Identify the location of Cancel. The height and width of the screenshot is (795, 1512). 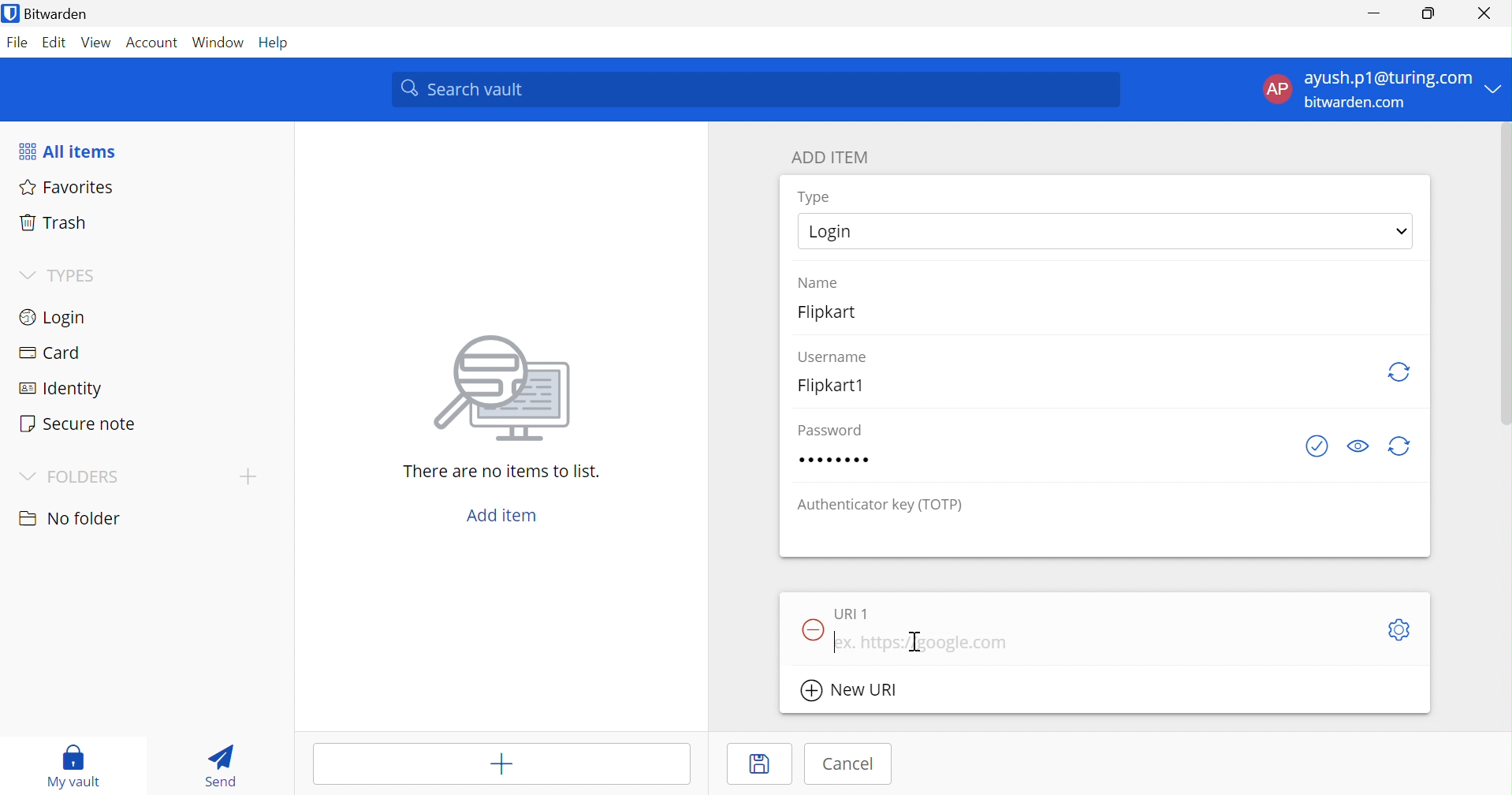
(849, 763).